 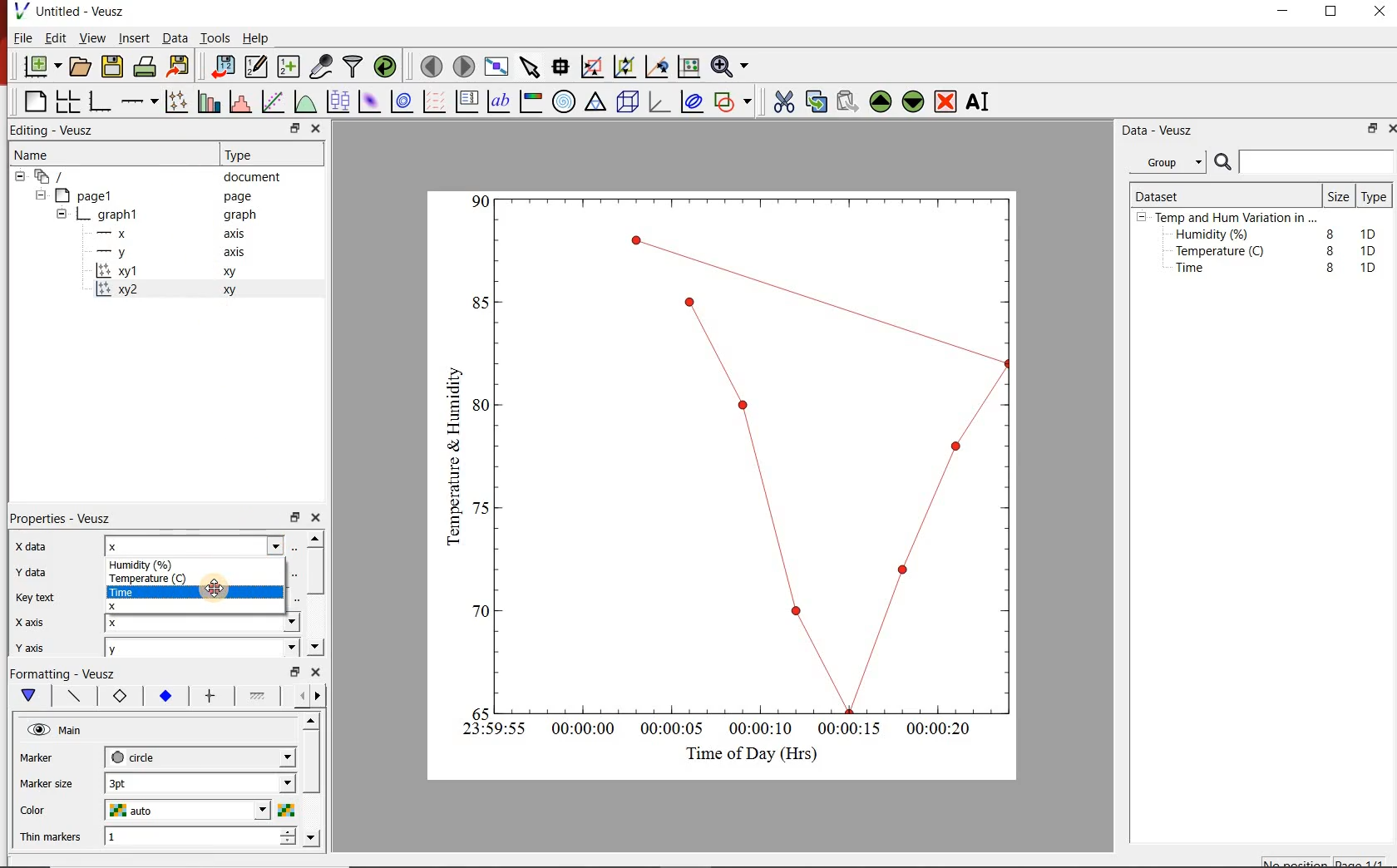 I want to click on axis, so click(x=239, y=235).